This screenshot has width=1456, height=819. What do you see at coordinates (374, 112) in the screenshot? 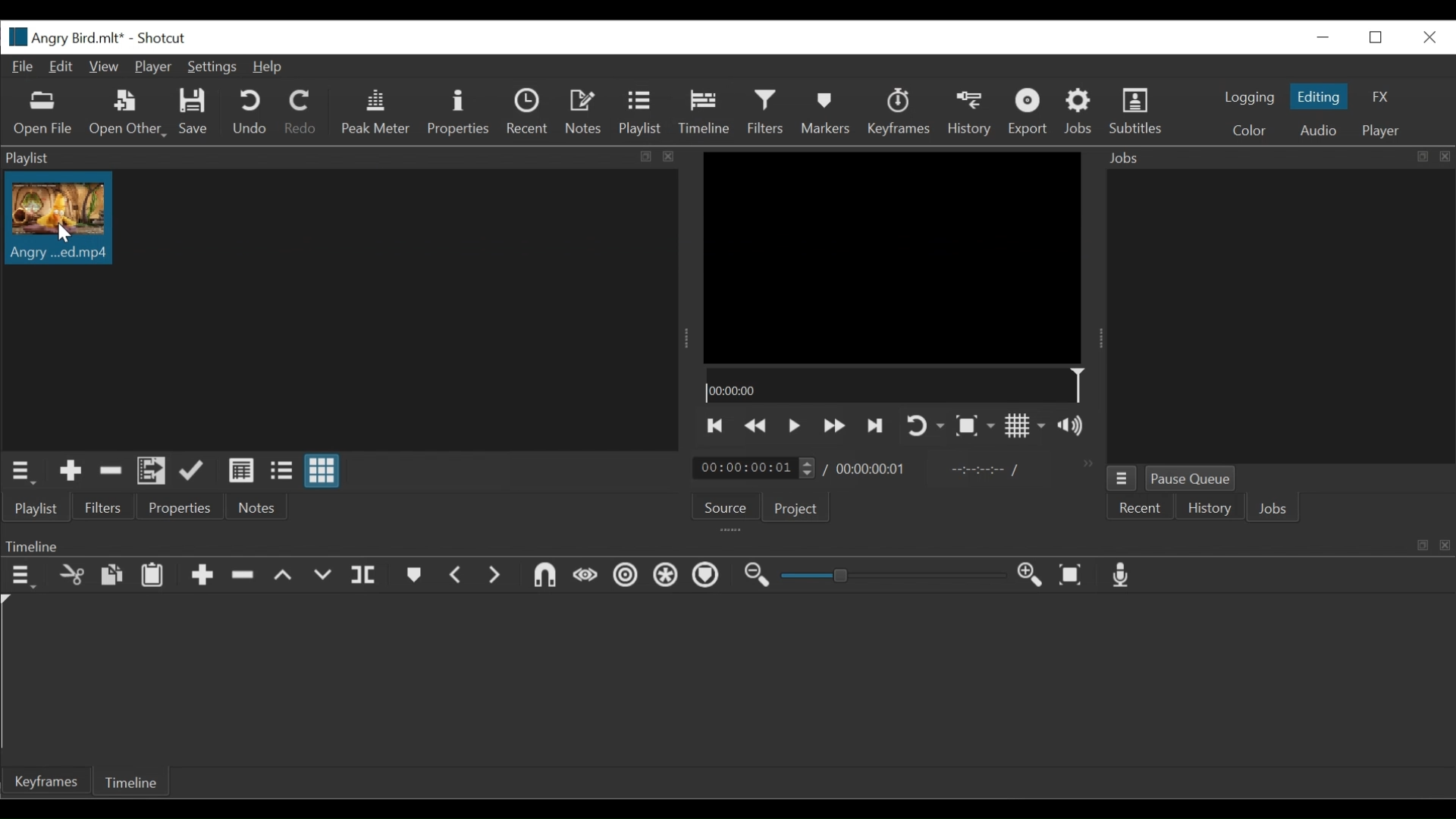
I see `Peak Meter` at bounding box center [374, 112].